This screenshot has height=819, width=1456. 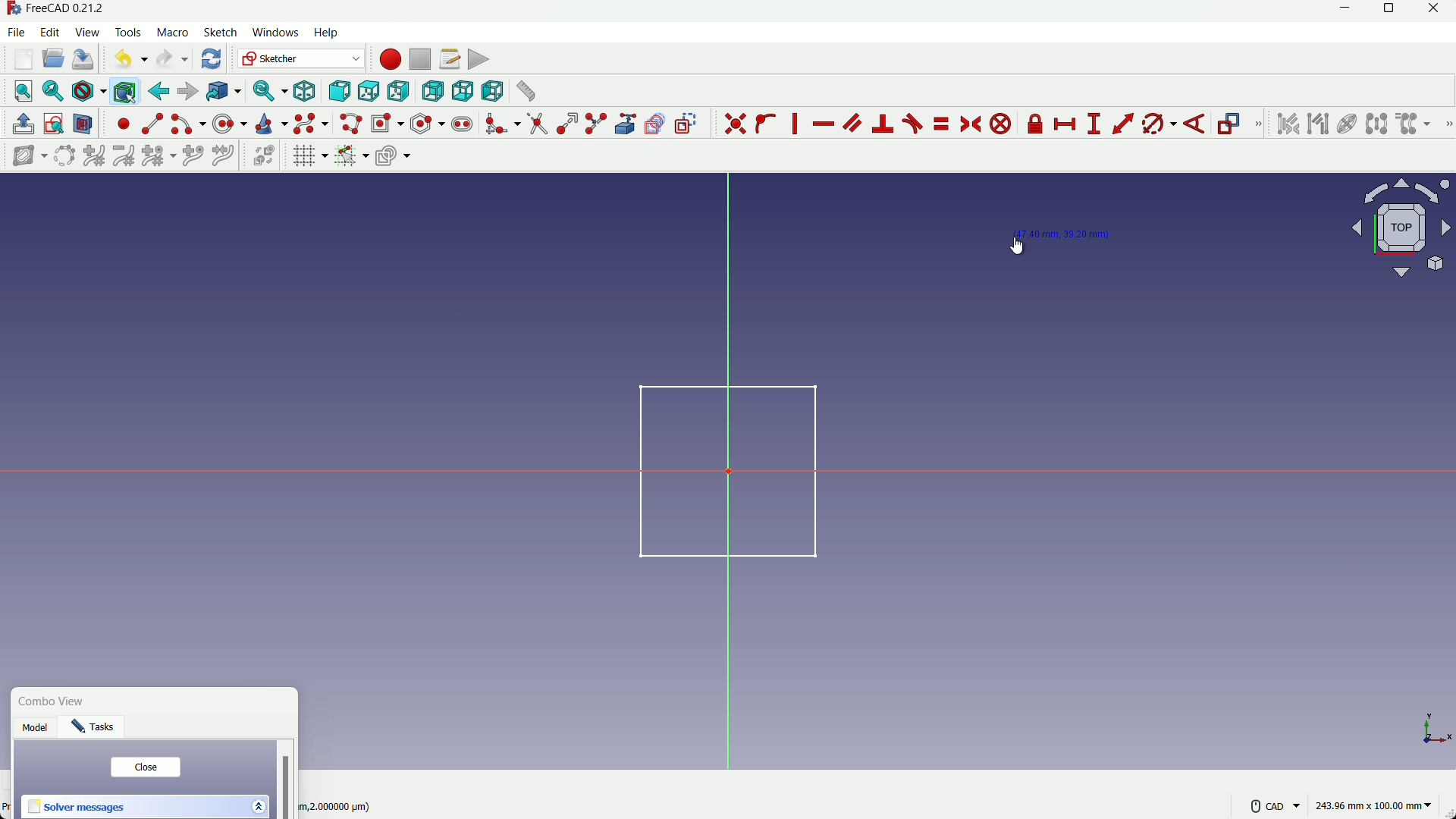 What do you see at coordinates (172, 59) in the screenshot?
I see `redo` at bounding box center [172, 59].